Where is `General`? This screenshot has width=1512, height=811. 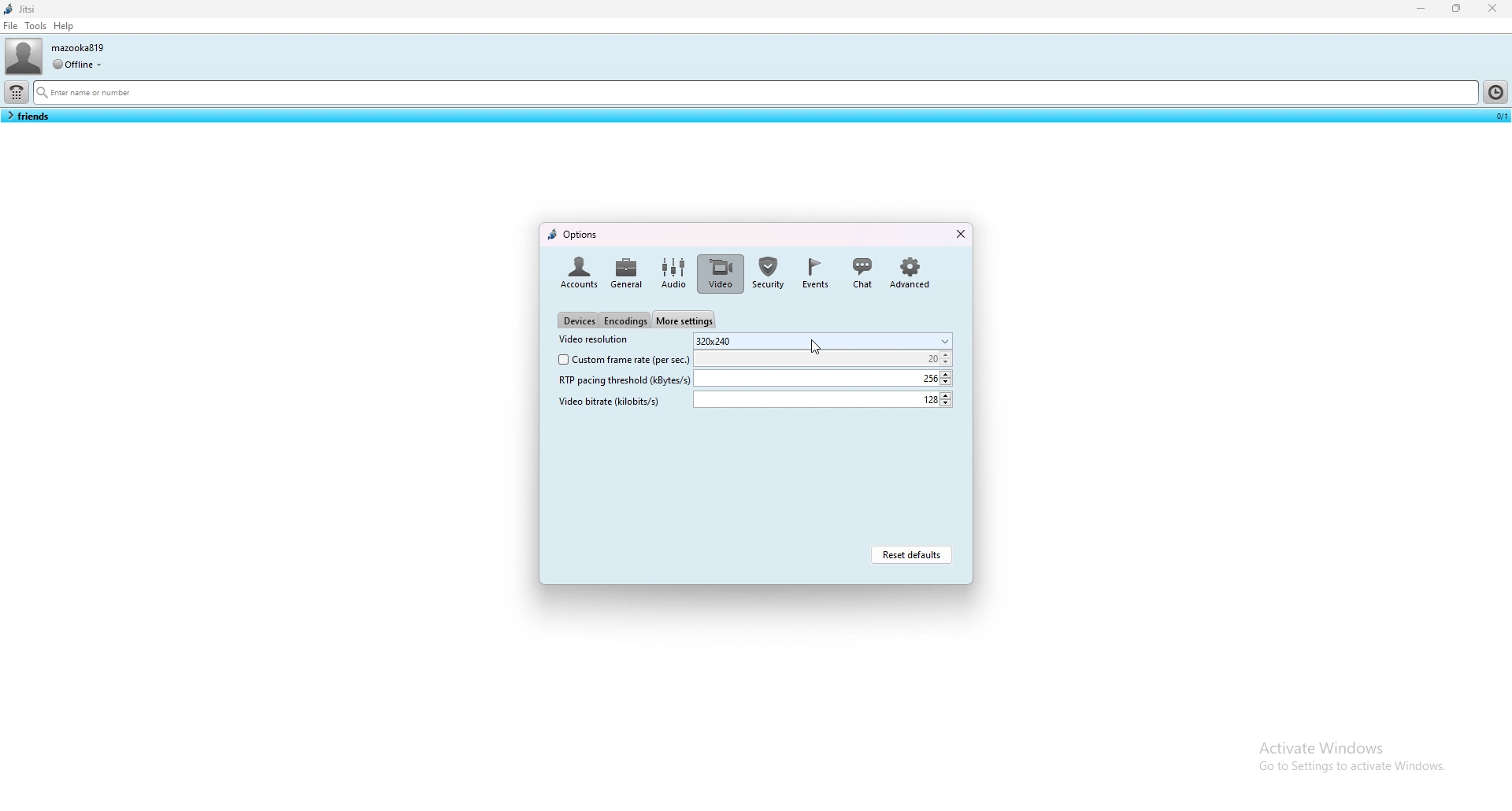
General is located at coordinates (627, 271).